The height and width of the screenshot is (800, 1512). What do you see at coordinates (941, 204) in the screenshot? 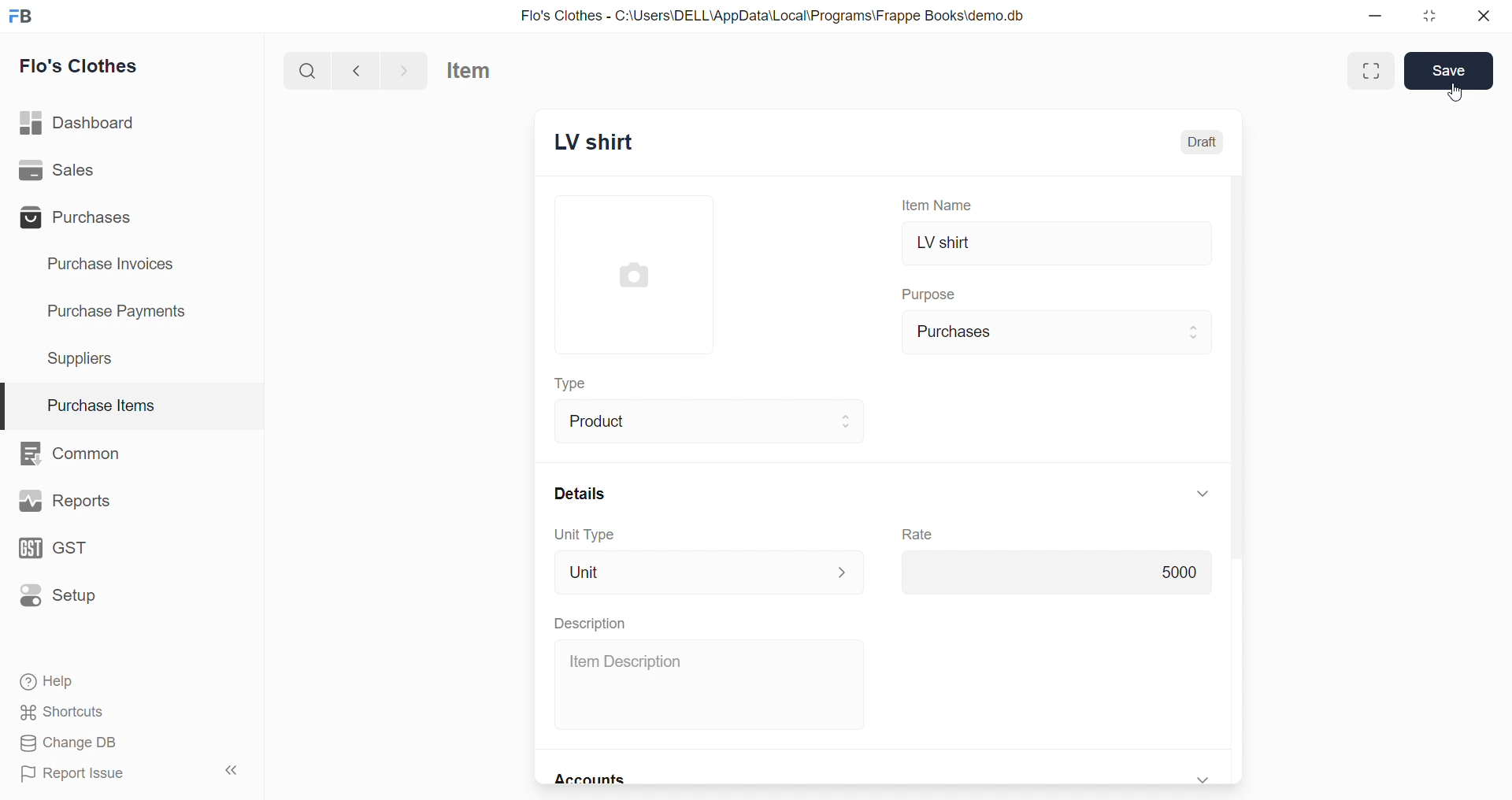
I see `Item Name` at bounding box center [941, 204].